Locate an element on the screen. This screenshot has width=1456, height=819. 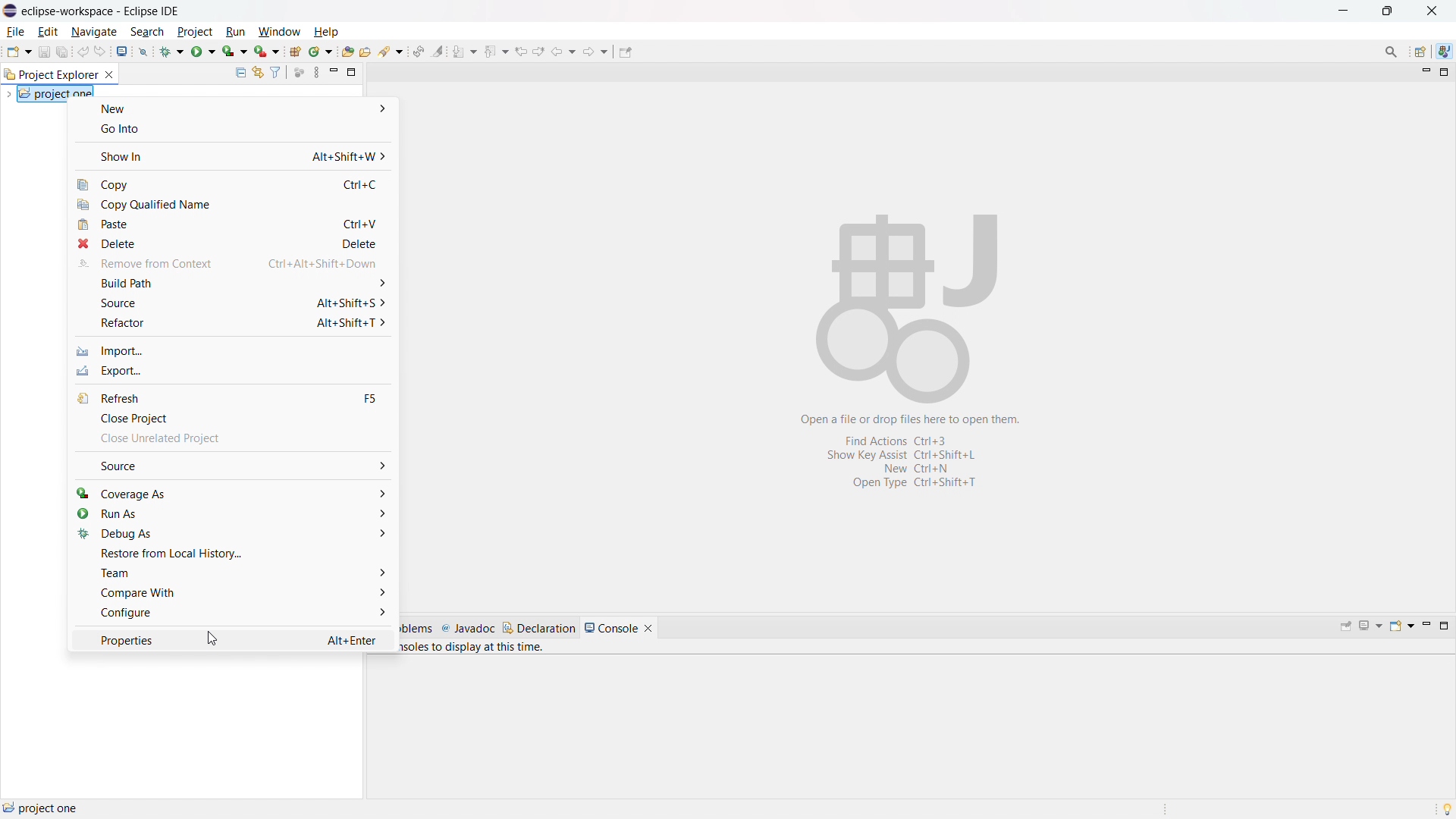
toggle ant editor auto reconcile is located at coordinates (418, 51).